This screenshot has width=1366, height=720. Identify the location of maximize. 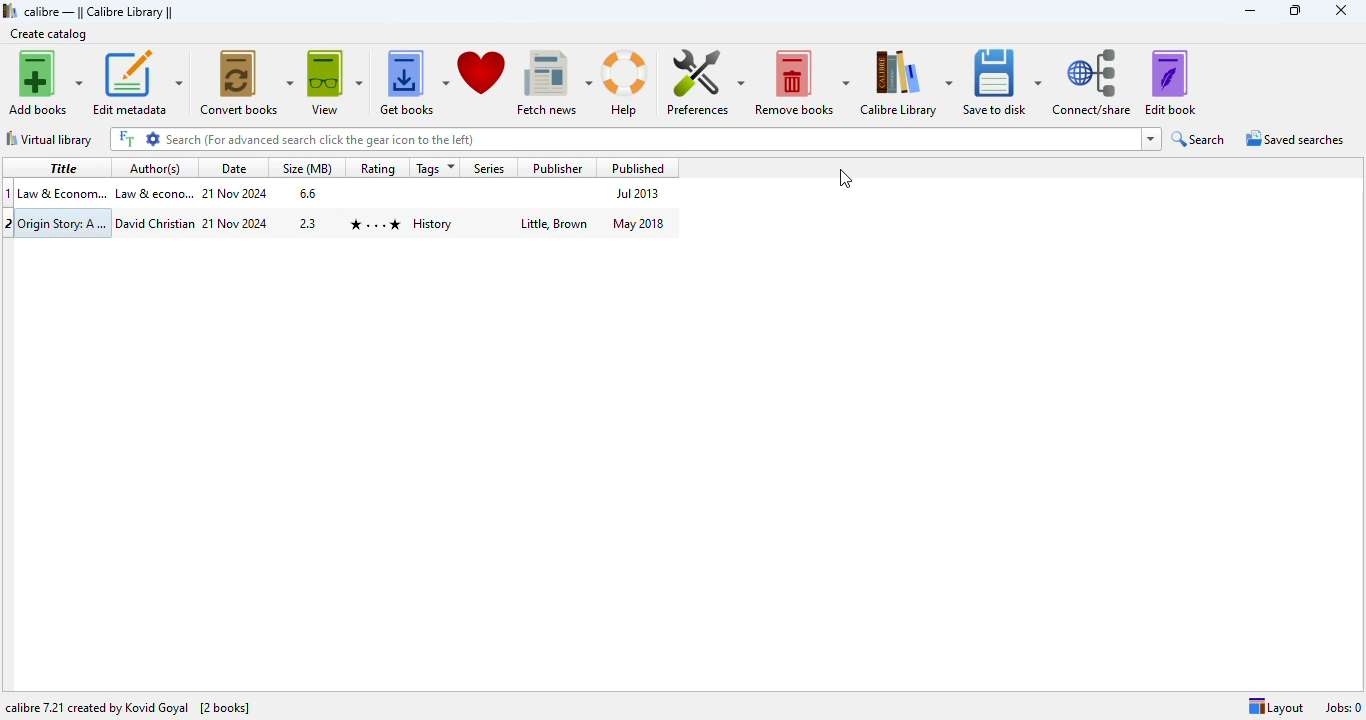
(1296, 10).